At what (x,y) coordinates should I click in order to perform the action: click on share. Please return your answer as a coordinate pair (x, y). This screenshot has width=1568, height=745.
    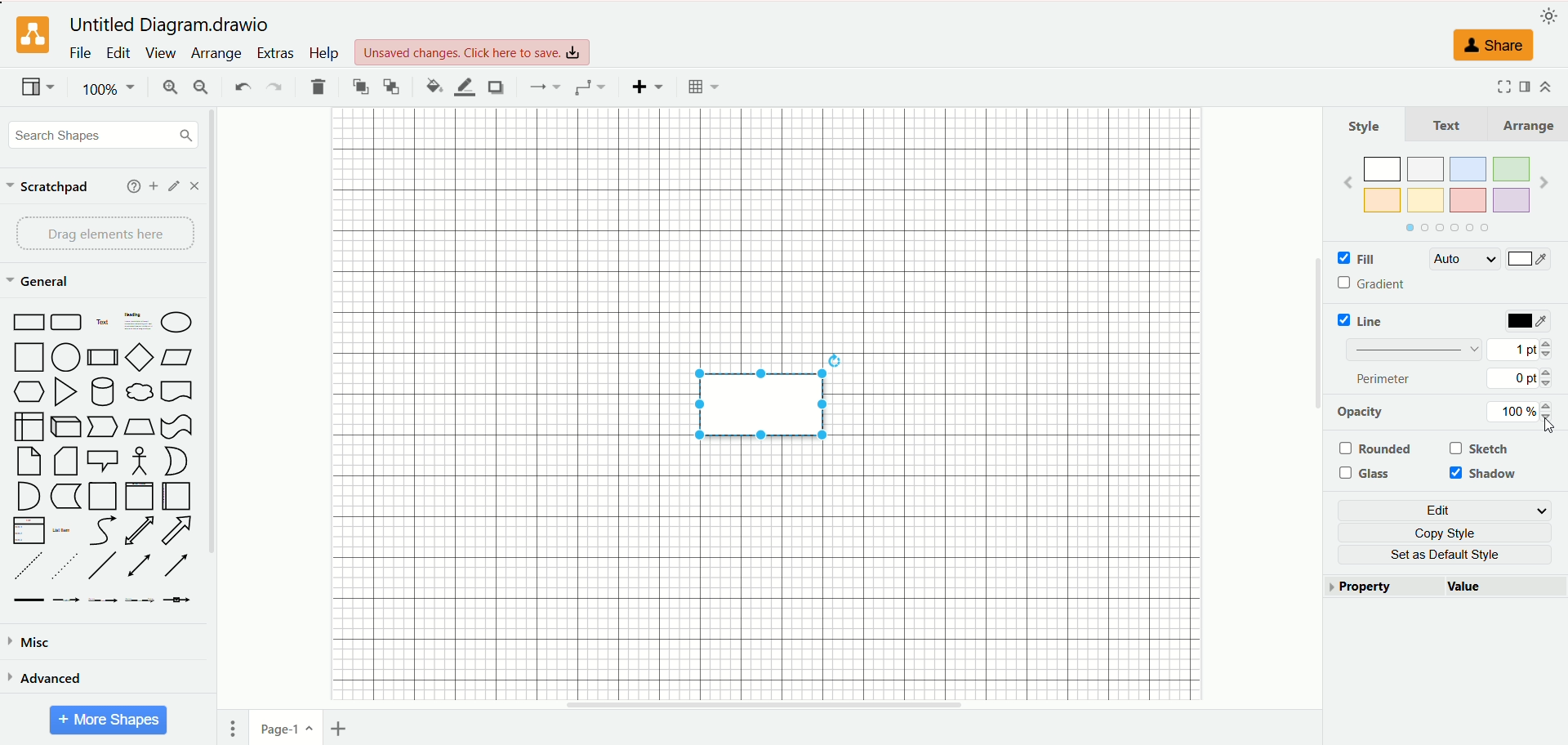
    Looking at the image, I should click on (1489, 45).